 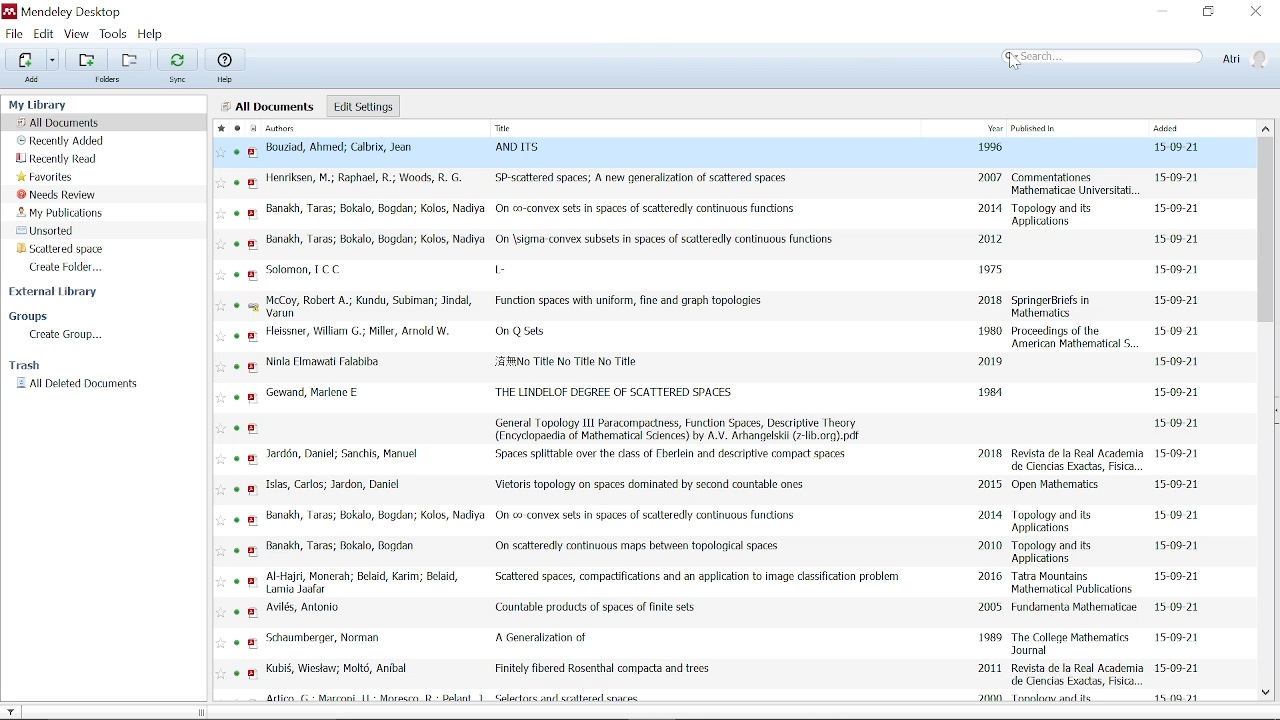 I want to click on Trash, so click(x=37, y=365).